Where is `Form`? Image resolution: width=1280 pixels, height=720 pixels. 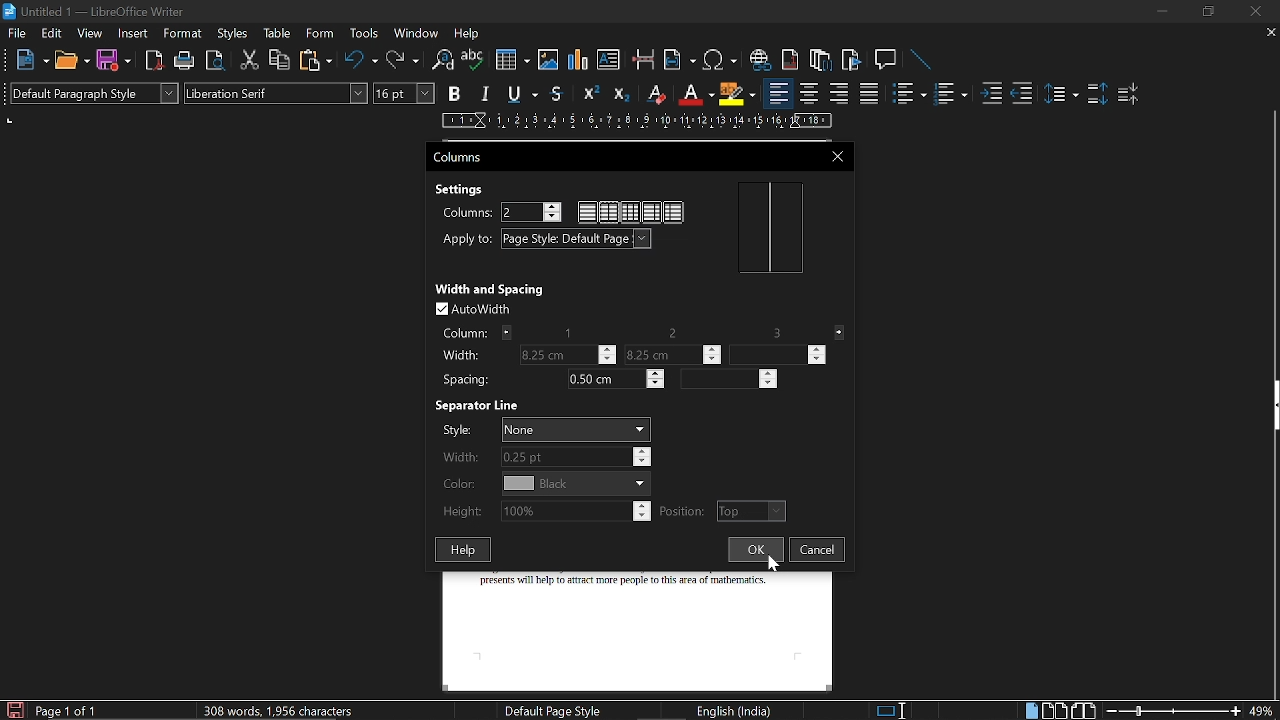 Form is located at coordinates (322, 32).